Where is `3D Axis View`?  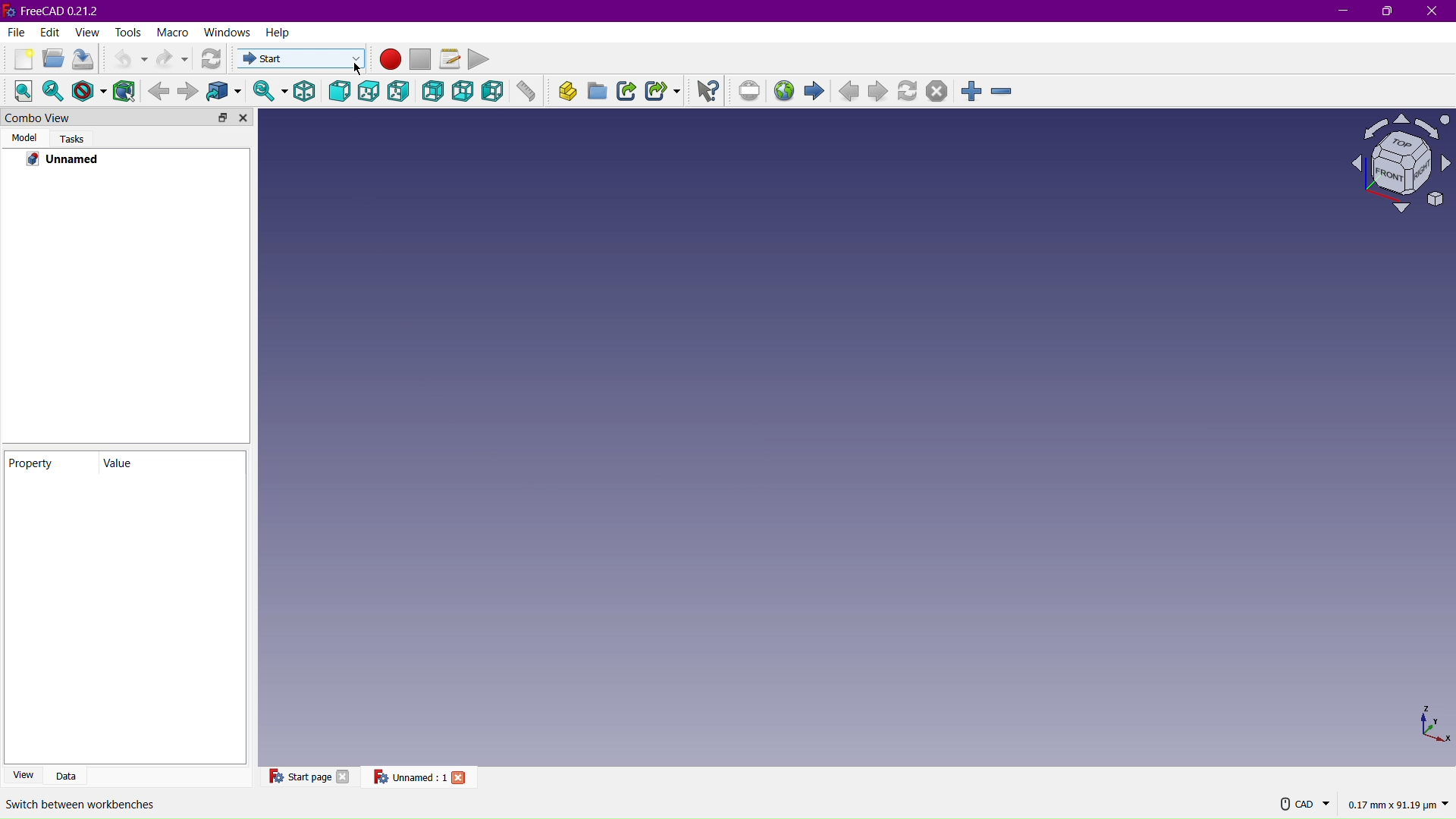
3D Axis View is located at coordinates (1432, 724).